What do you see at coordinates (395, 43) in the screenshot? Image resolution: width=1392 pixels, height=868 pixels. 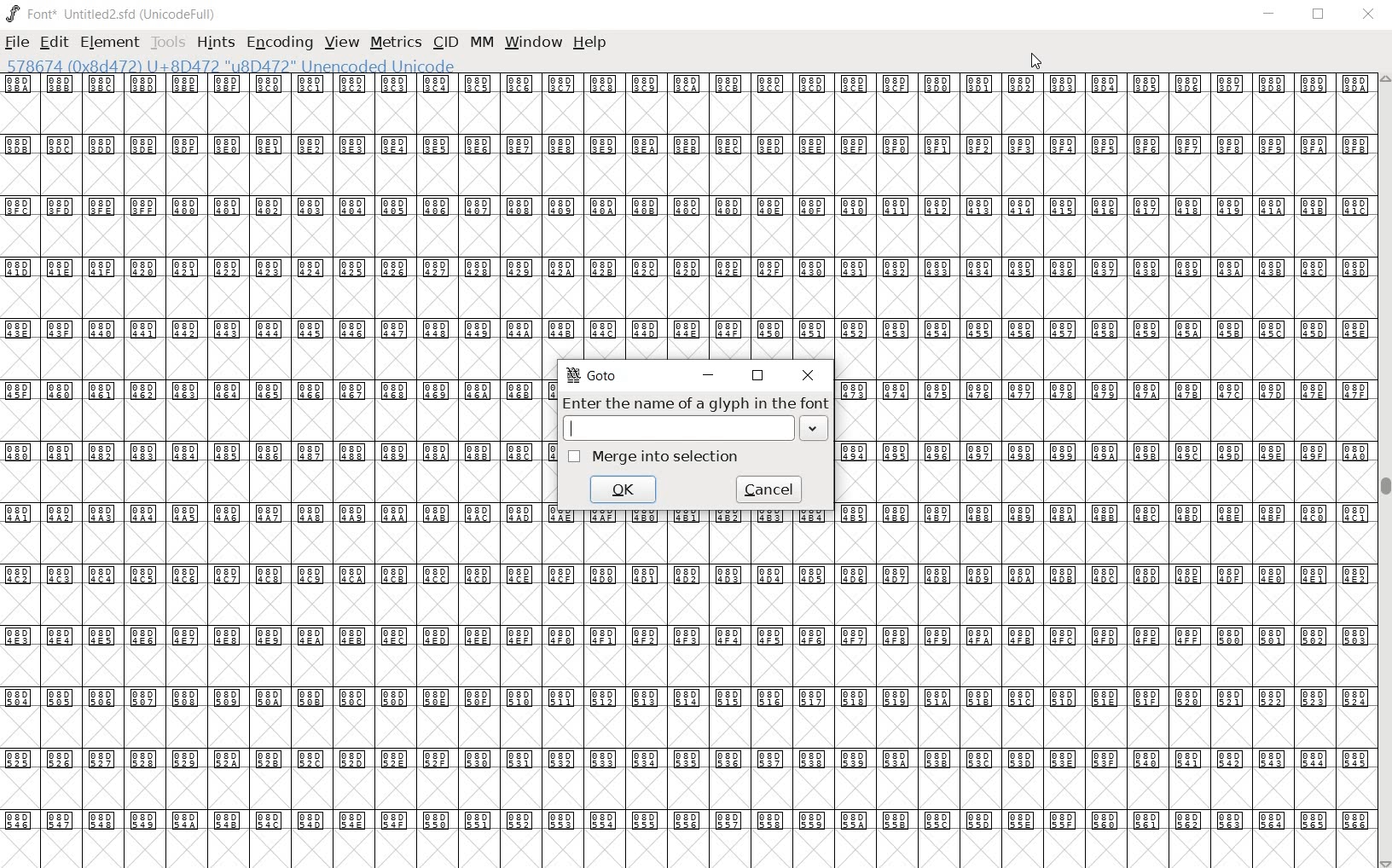 I see `metrics` at bounding box center [395, 43].